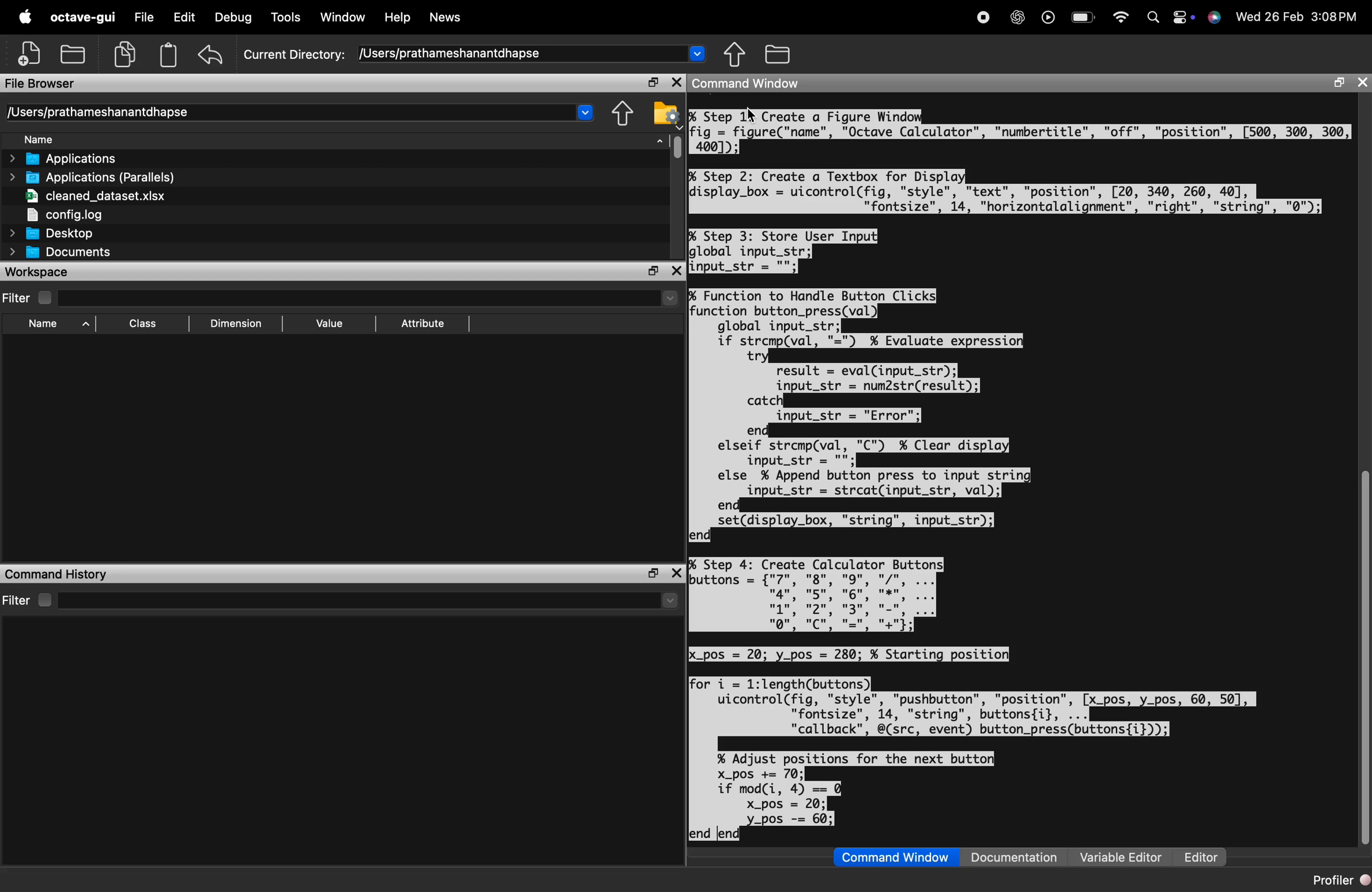  I want to click on Documents, so click(58, 252).